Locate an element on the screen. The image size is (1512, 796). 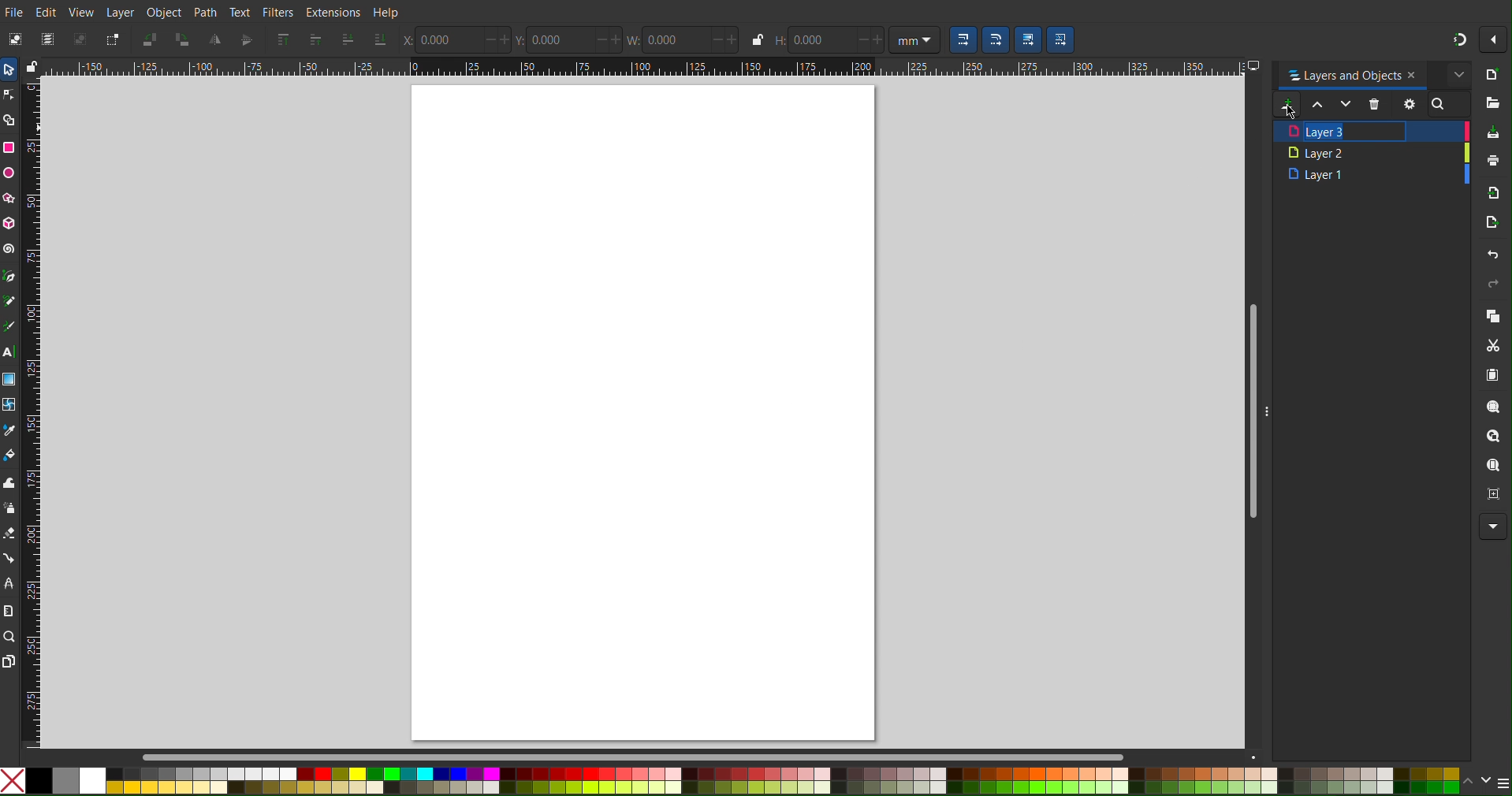
canvas is located at coordinates (649, 414).